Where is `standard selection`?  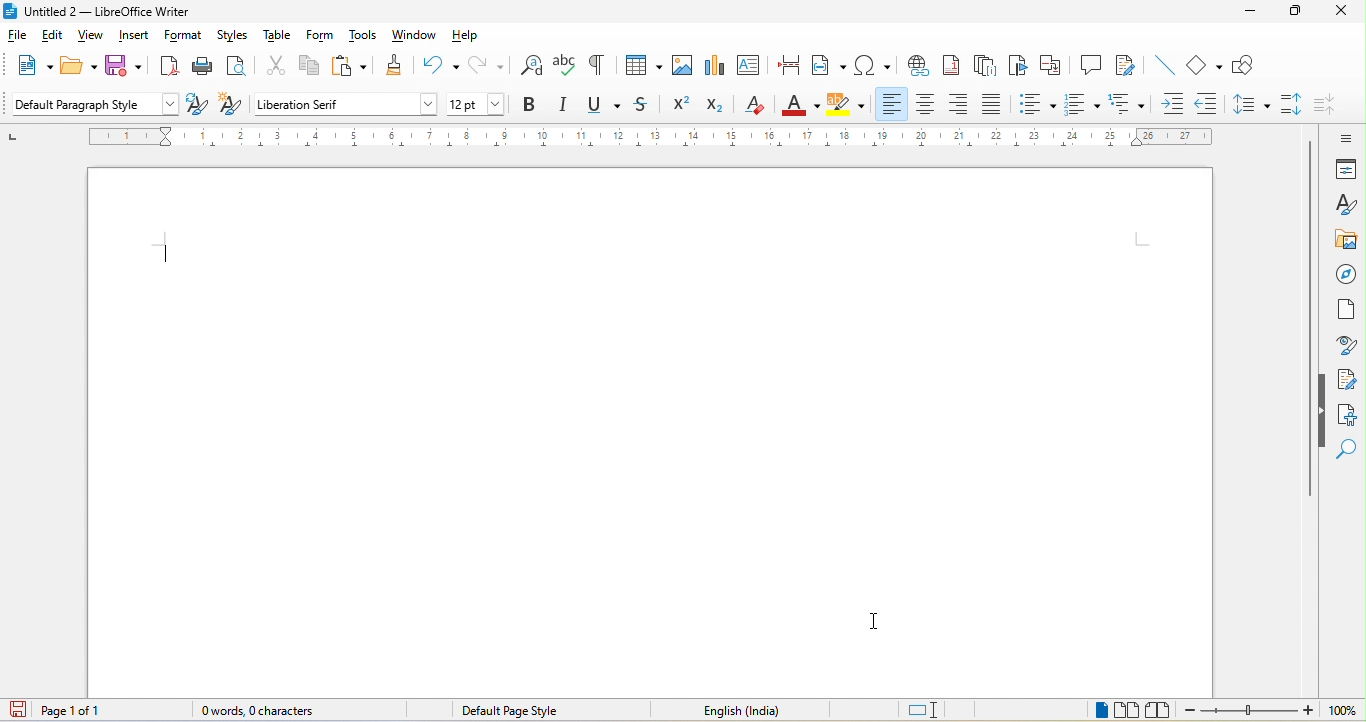
standard selection is located at coordinates (930, 709).